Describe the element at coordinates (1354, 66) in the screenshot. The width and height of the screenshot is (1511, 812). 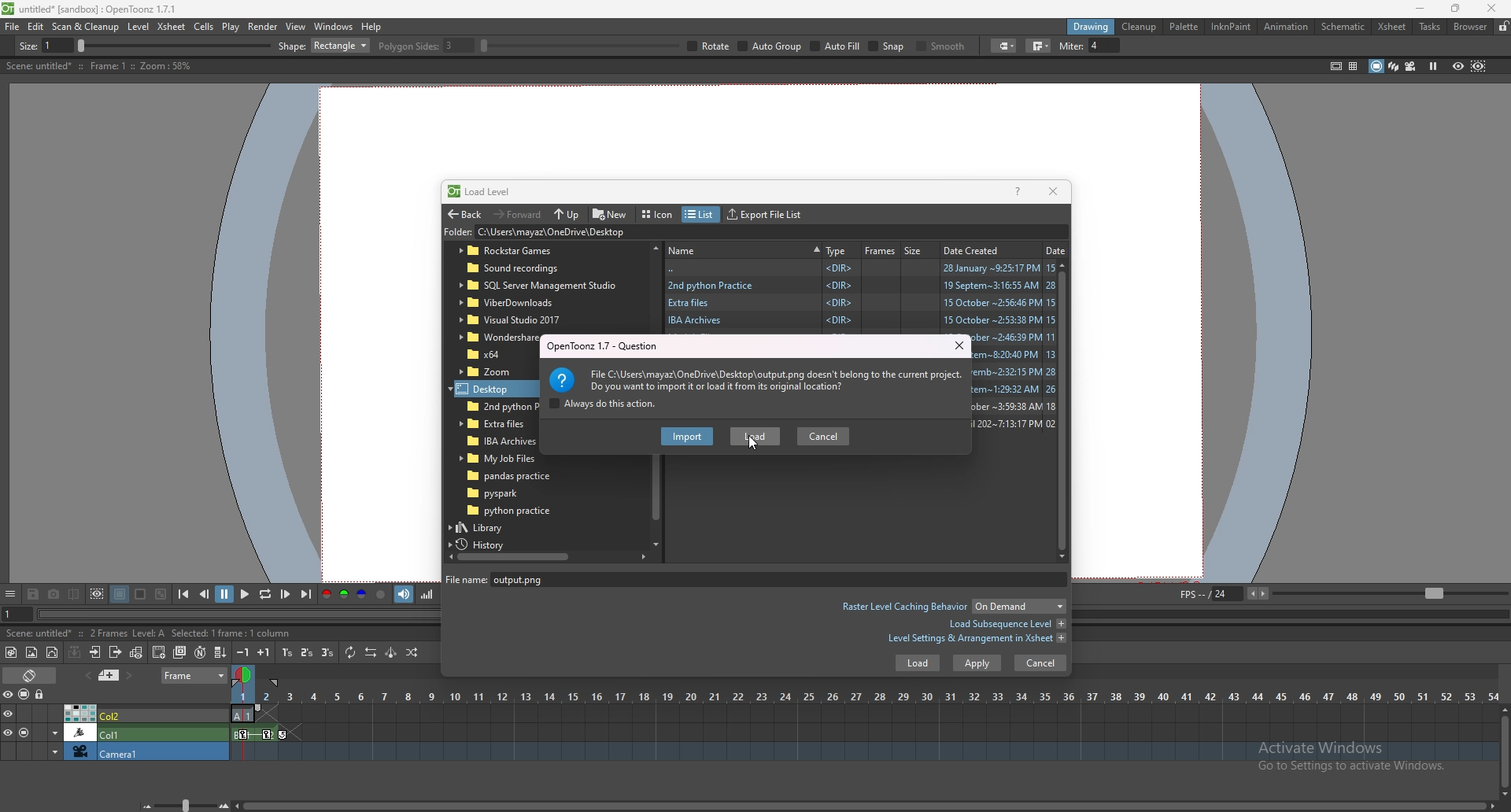
I see `field guide` at that location.